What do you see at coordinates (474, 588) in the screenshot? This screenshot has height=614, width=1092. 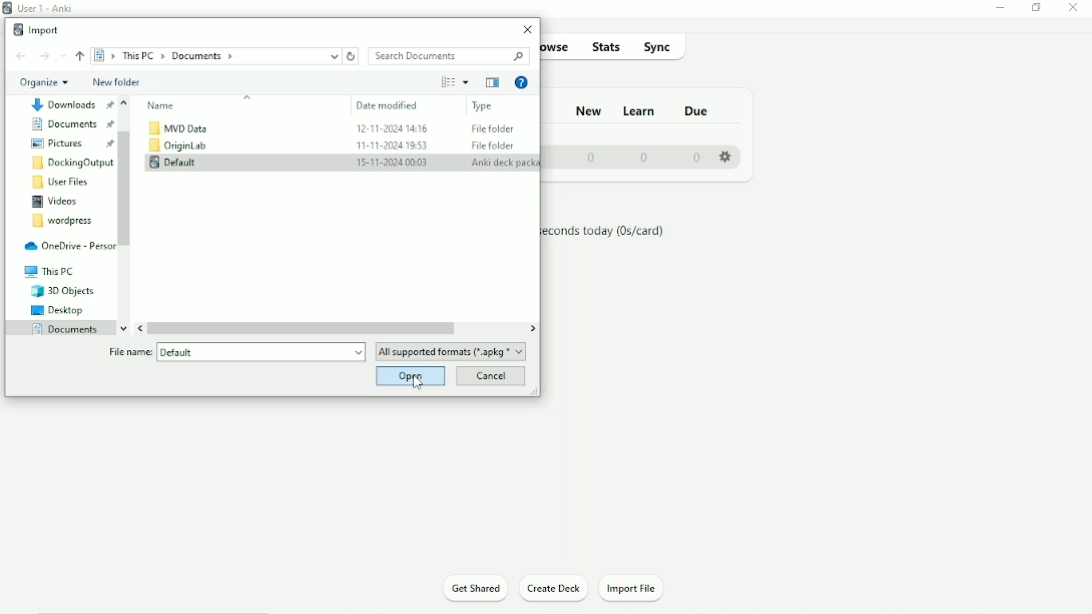 I see `Get Shared` at bounding box center [474, 588].